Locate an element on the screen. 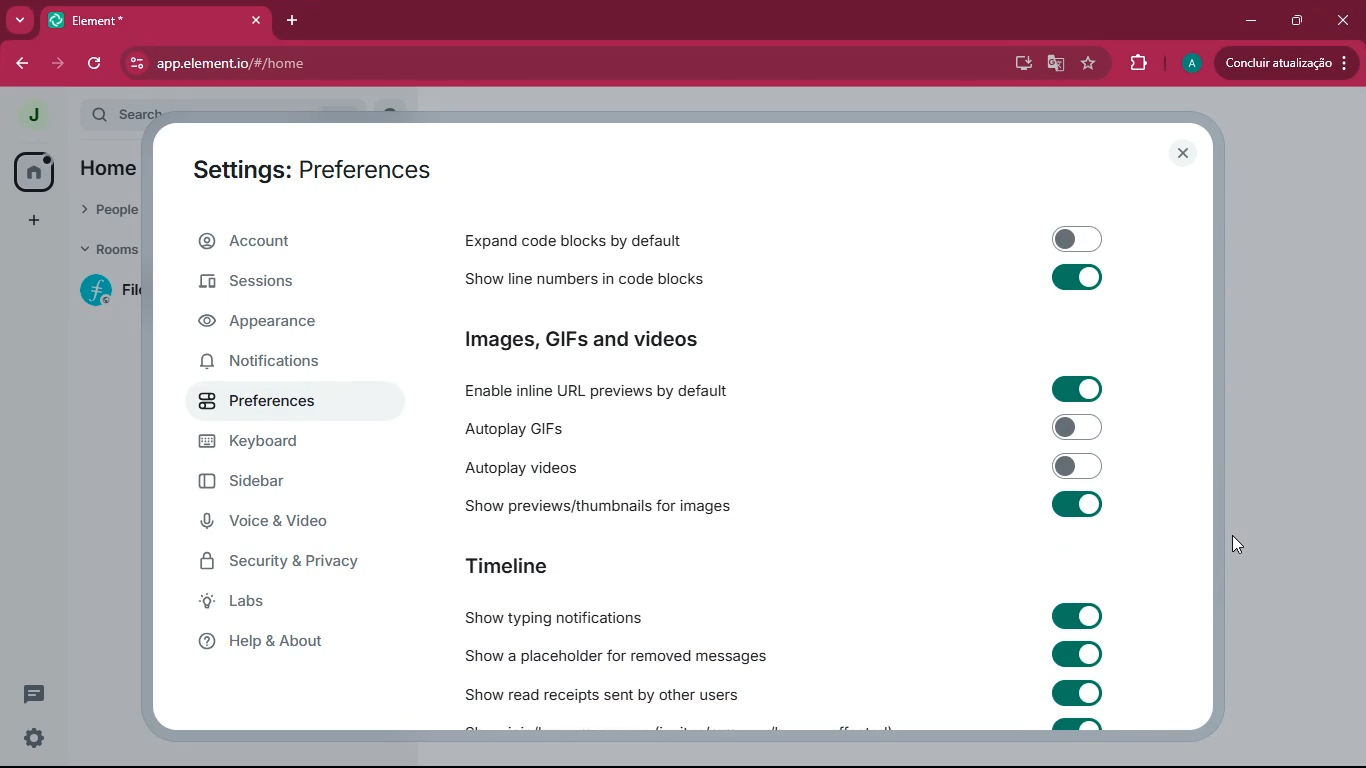 This screenshot has height=768, width=1366. show typing notifications is located at coordinates (554, 614).